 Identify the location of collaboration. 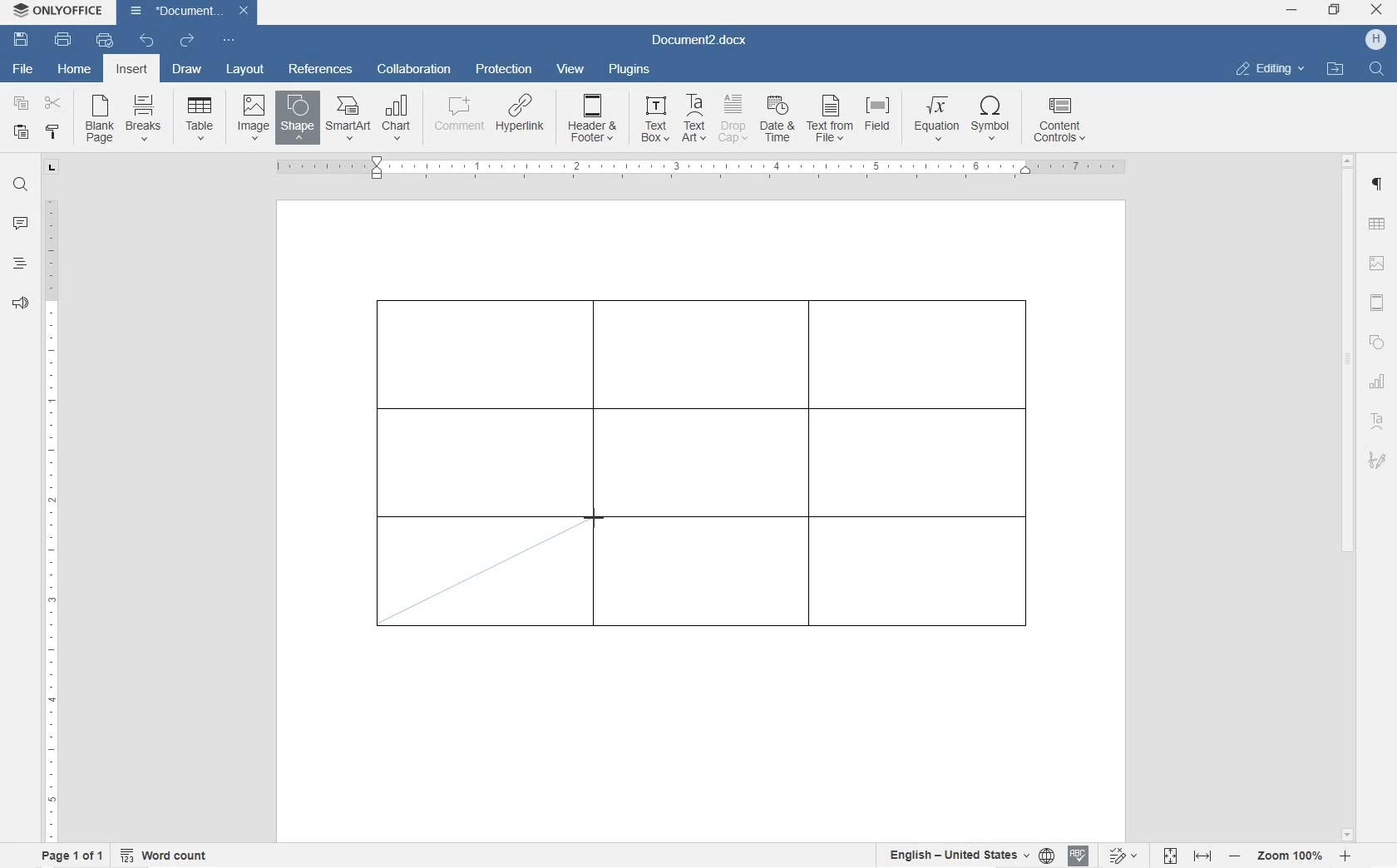
(414, 70).